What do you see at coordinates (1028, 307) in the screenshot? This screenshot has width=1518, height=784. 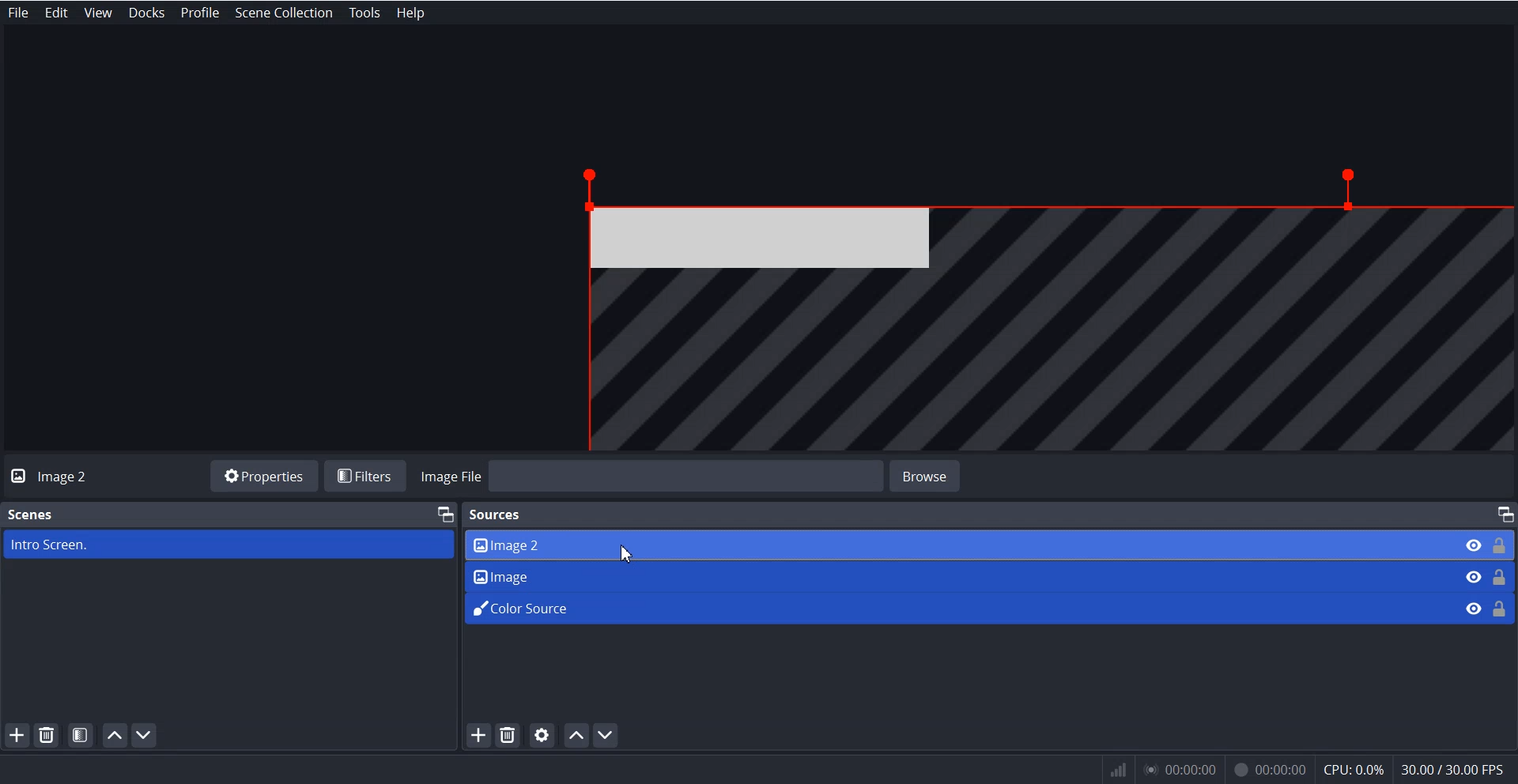 I see `File Overview` at bounding box center [1028, 307].